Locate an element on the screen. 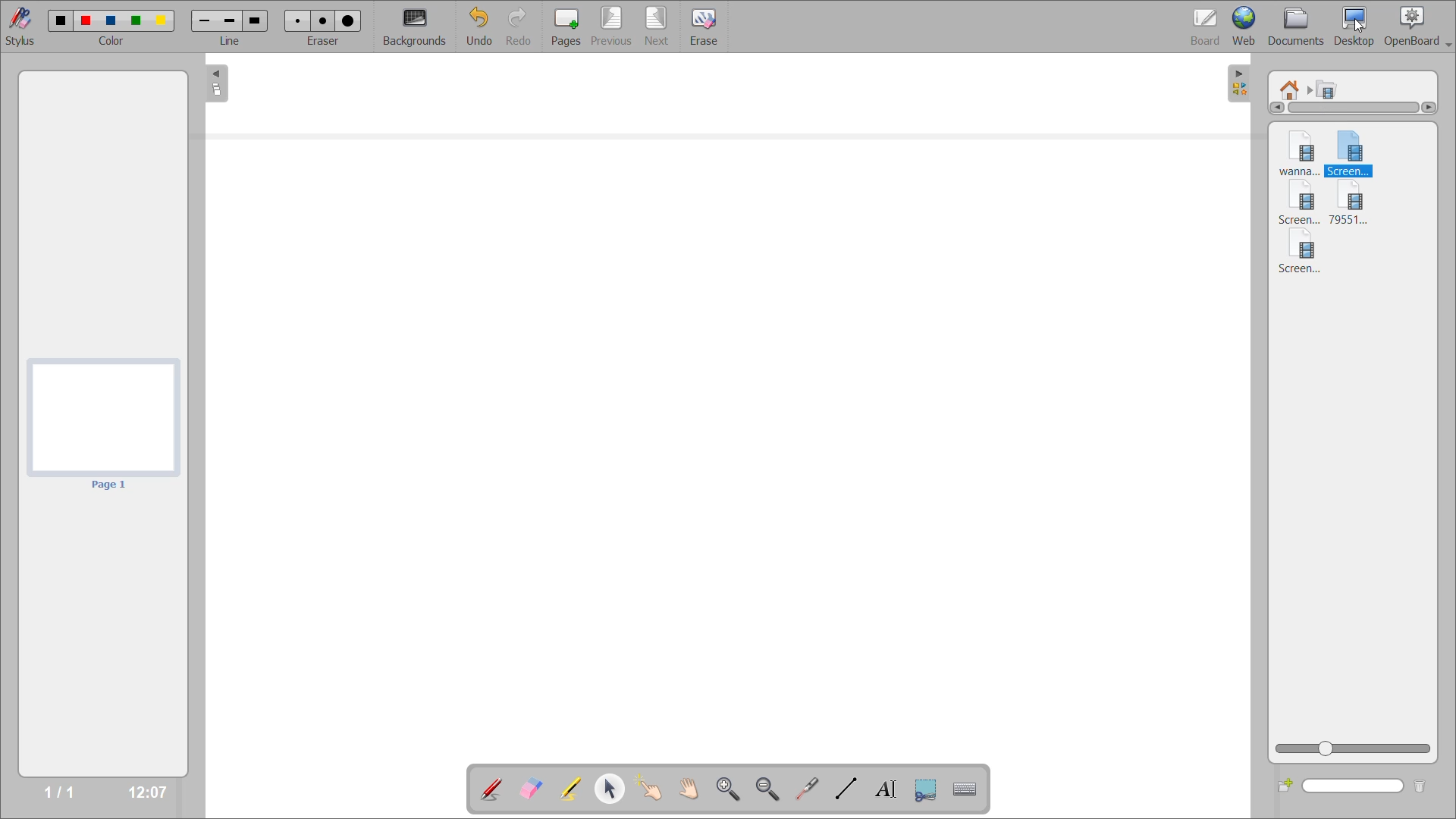 The height and width of the screenshot is (819, 1456). create new folder is located at coordinates (1285, 787).